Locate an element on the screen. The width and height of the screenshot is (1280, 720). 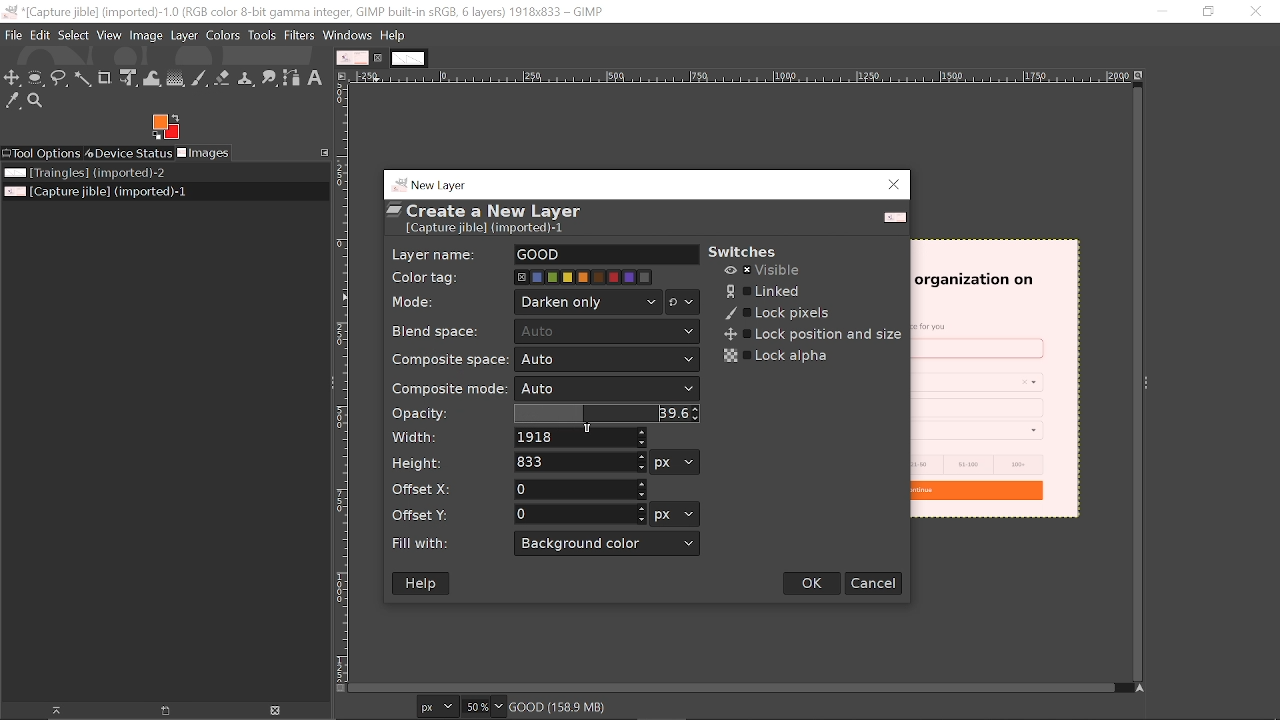
Text tool is located at coordinates (316, 77).